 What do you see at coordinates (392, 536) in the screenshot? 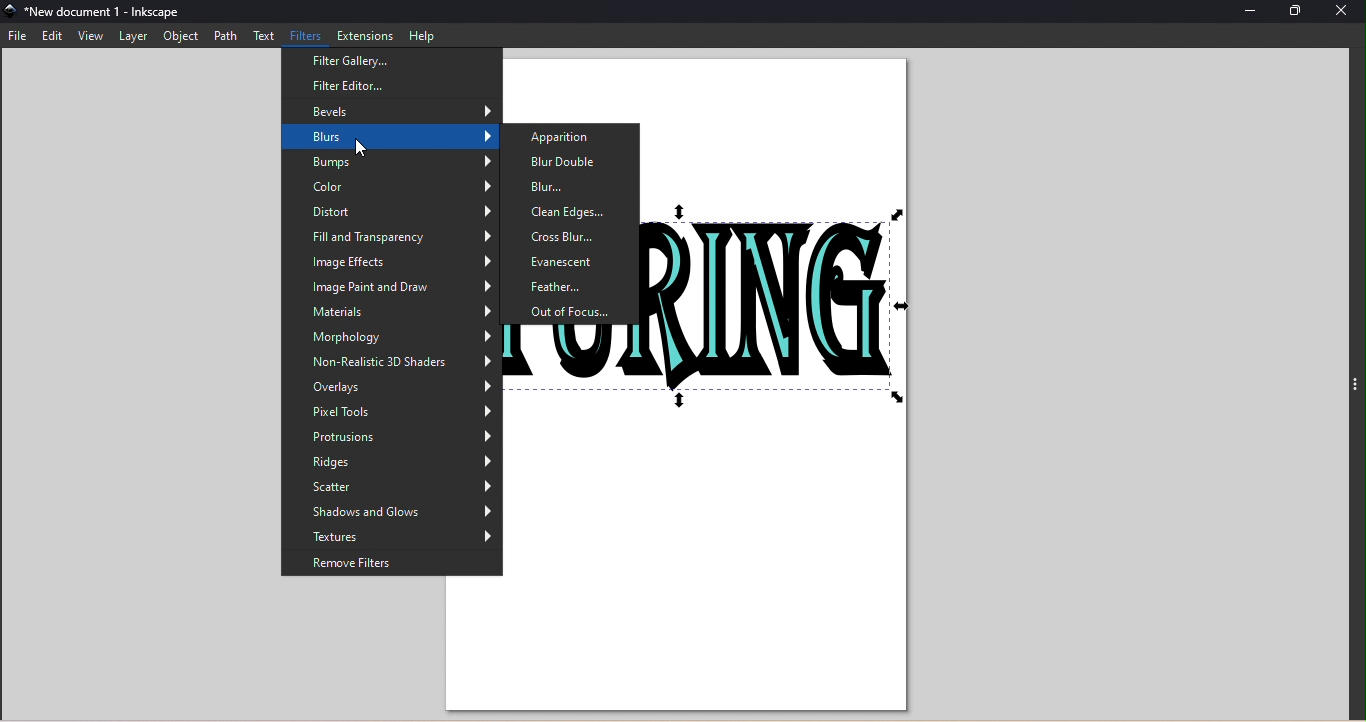
I see `Textures` at bounding box center [392, 536].